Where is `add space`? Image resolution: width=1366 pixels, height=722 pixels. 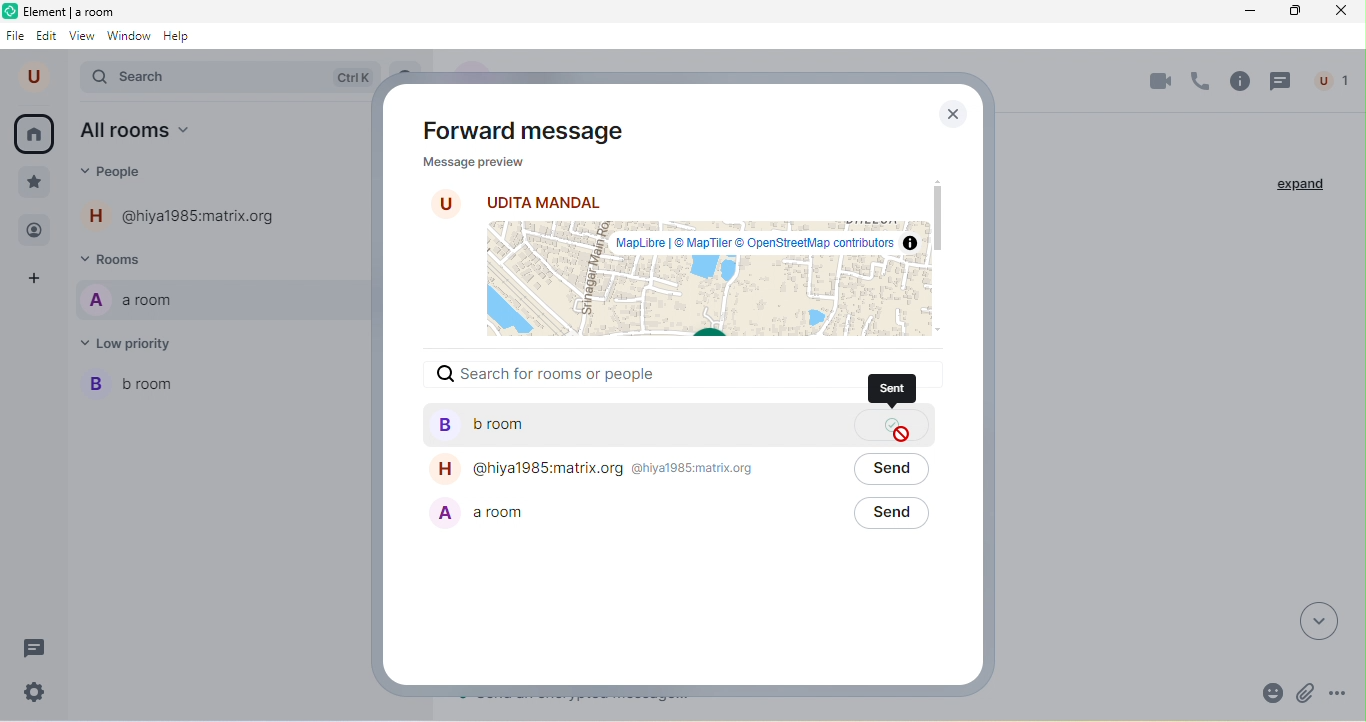 add space is located at coordinates (33, 282).